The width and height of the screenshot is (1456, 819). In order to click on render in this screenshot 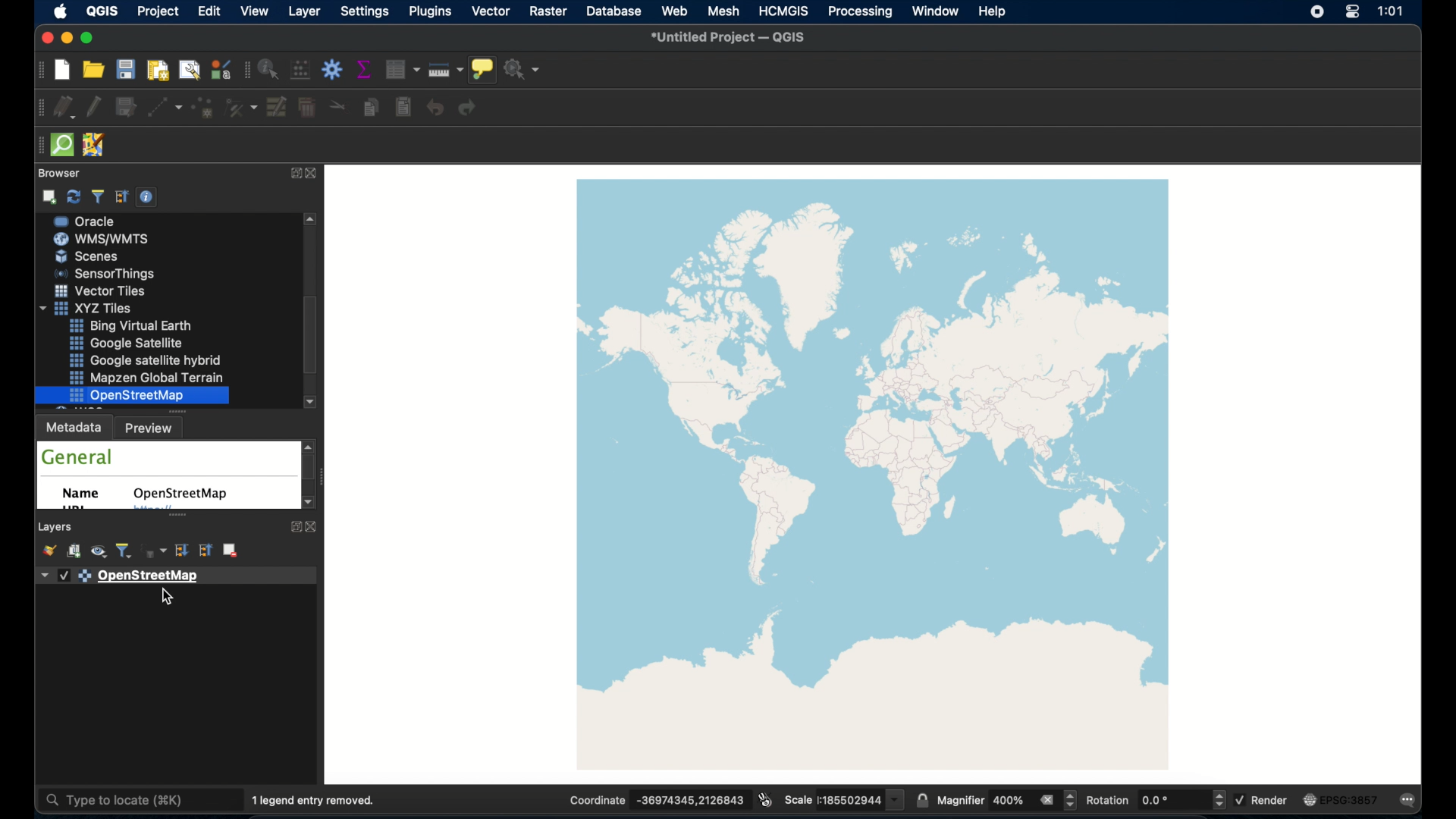, I will do `click(1264, 801)`.